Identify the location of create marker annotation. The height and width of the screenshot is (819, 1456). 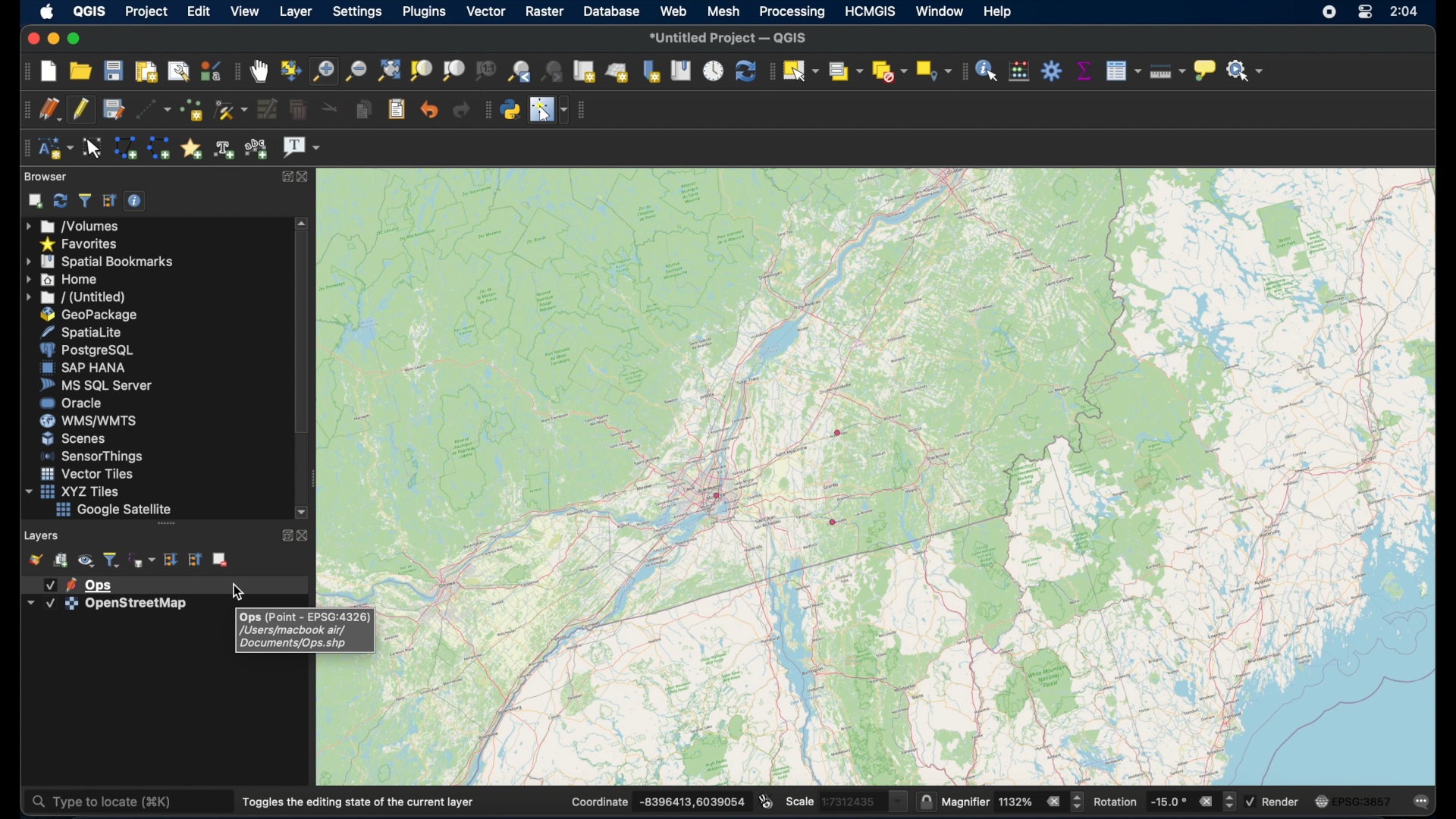
(190, 147).